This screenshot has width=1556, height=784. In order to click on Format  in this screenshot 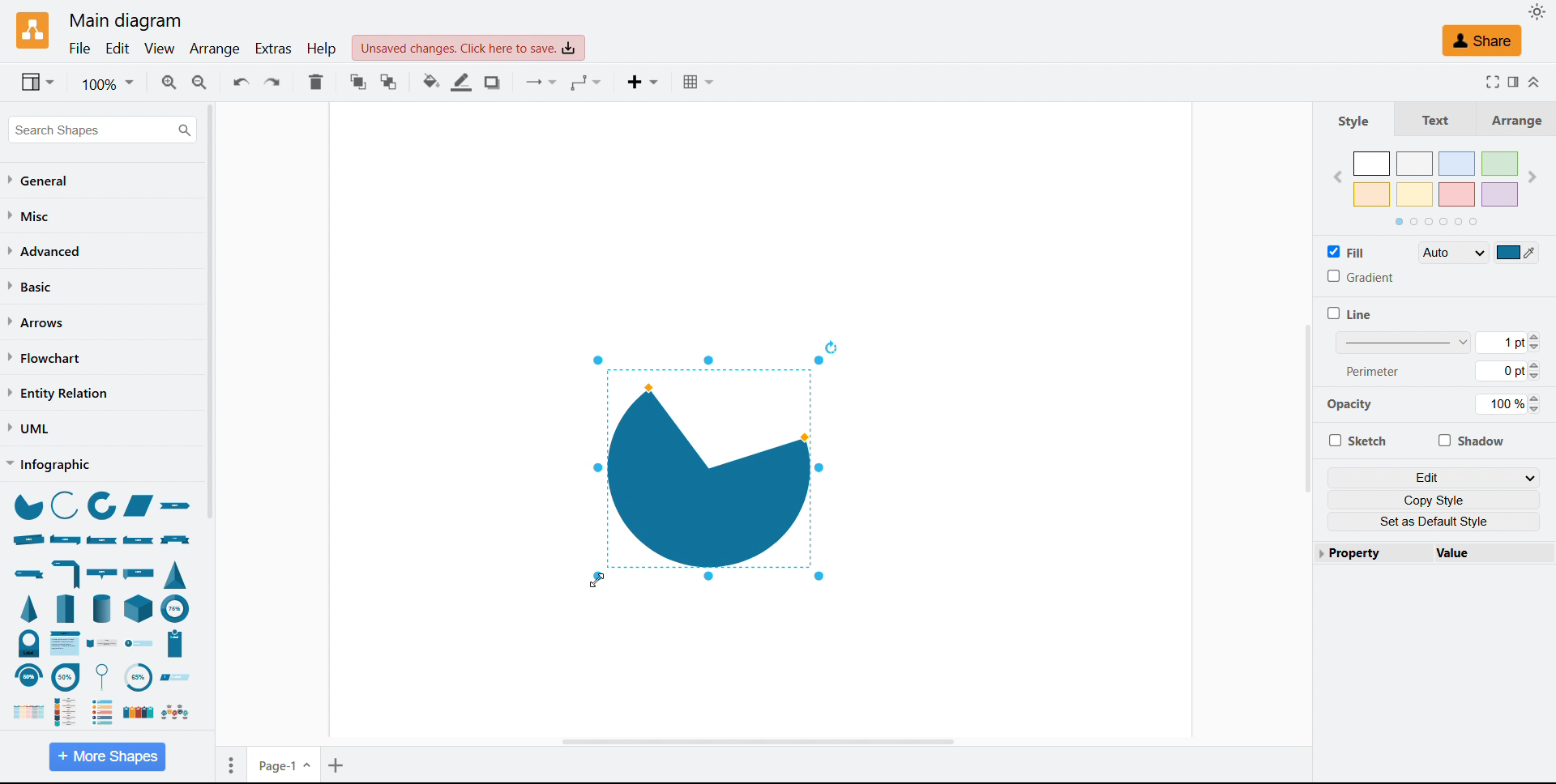, I will do `click(1512, 81)`.